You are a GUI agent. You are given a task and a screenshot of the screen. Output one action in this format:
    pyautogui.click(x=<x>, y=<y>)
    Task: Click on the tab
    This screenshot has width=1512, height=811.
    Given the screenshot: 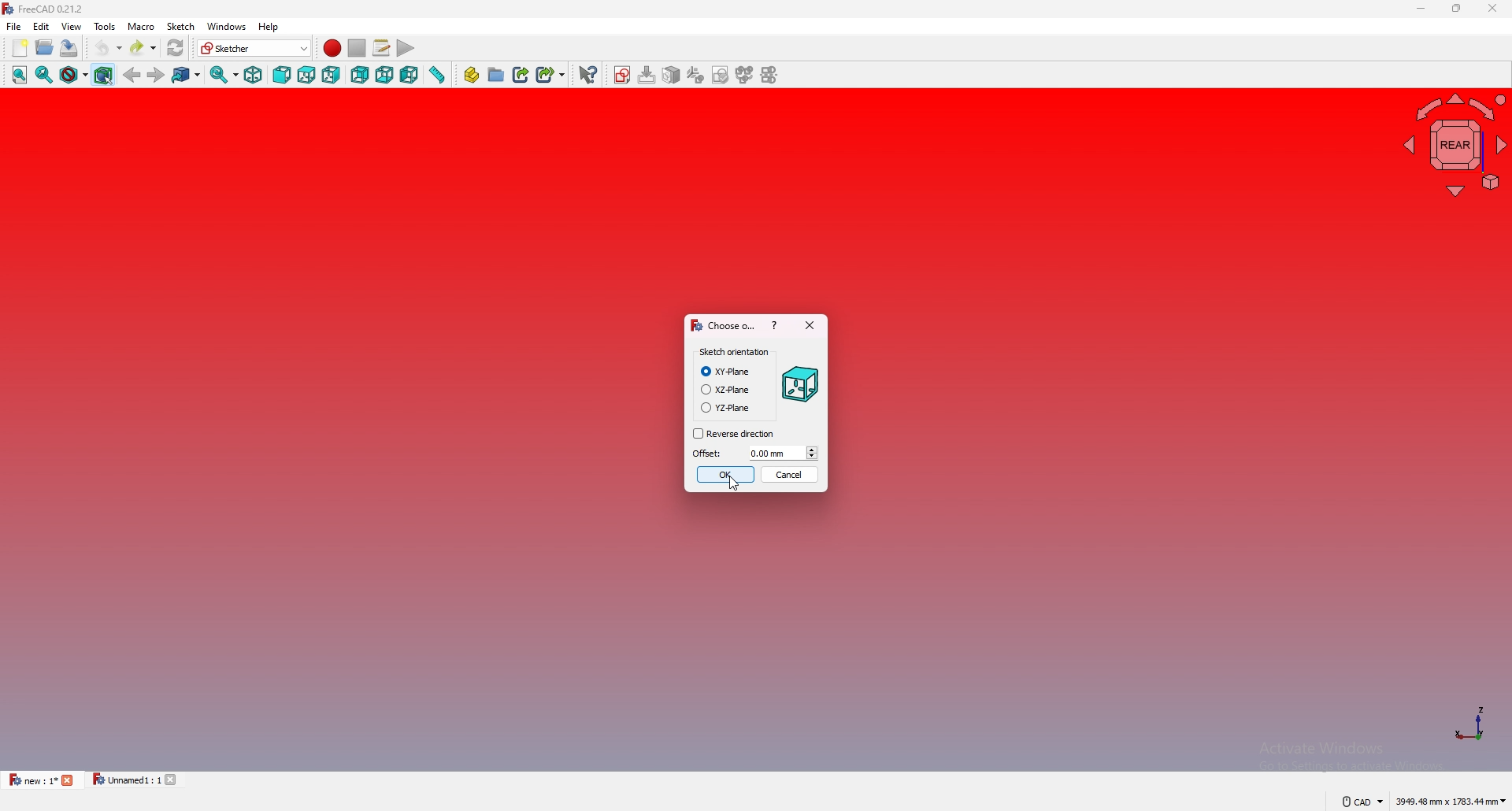 What is the action you would take?
    pyautogui.click(x=699, y=74)
    